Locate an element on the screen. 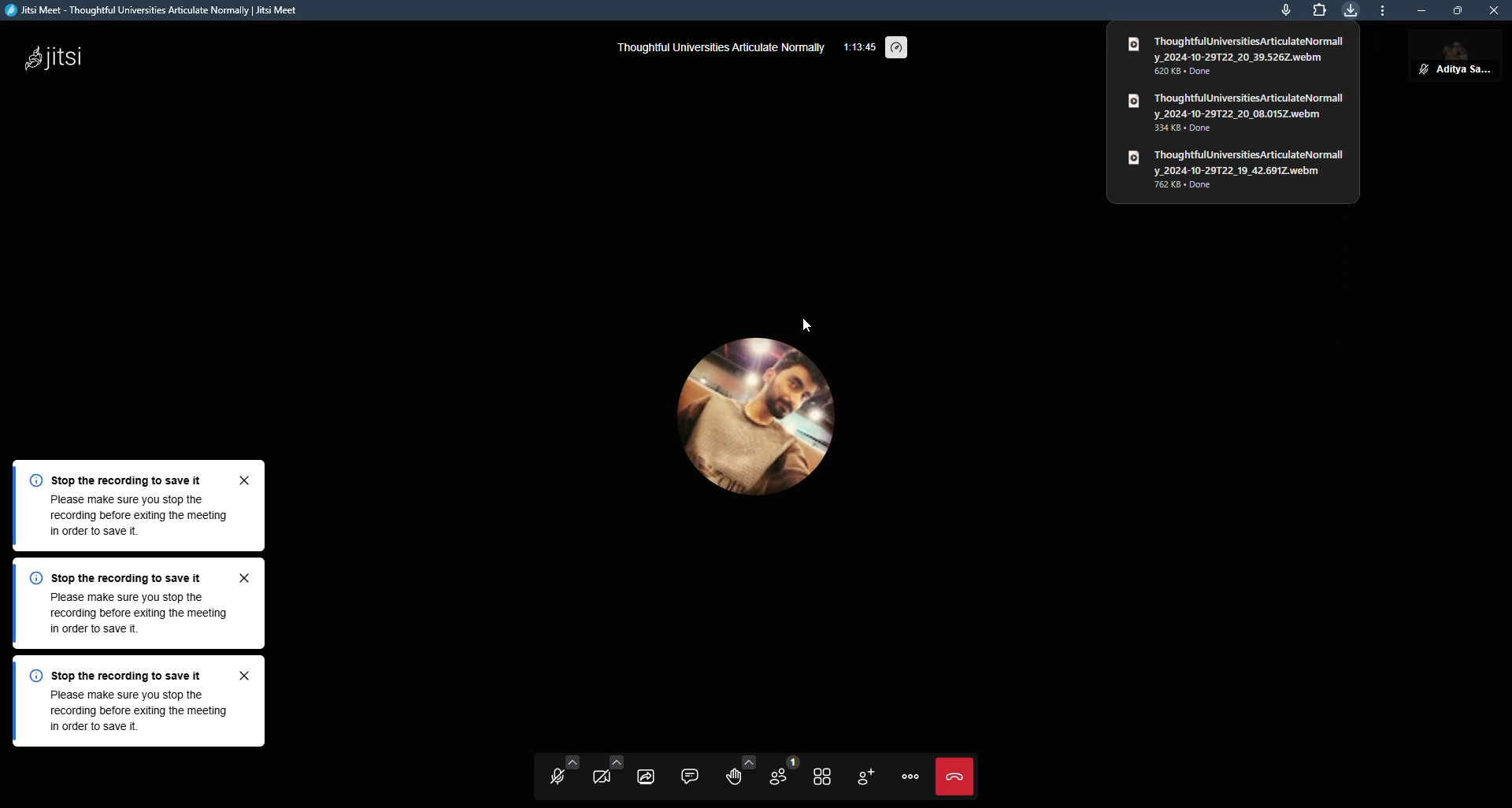  iversitiesArtic ll
y.2024-10-29T22_20_08.015Z. webm is located at coordinates (1236, 104).